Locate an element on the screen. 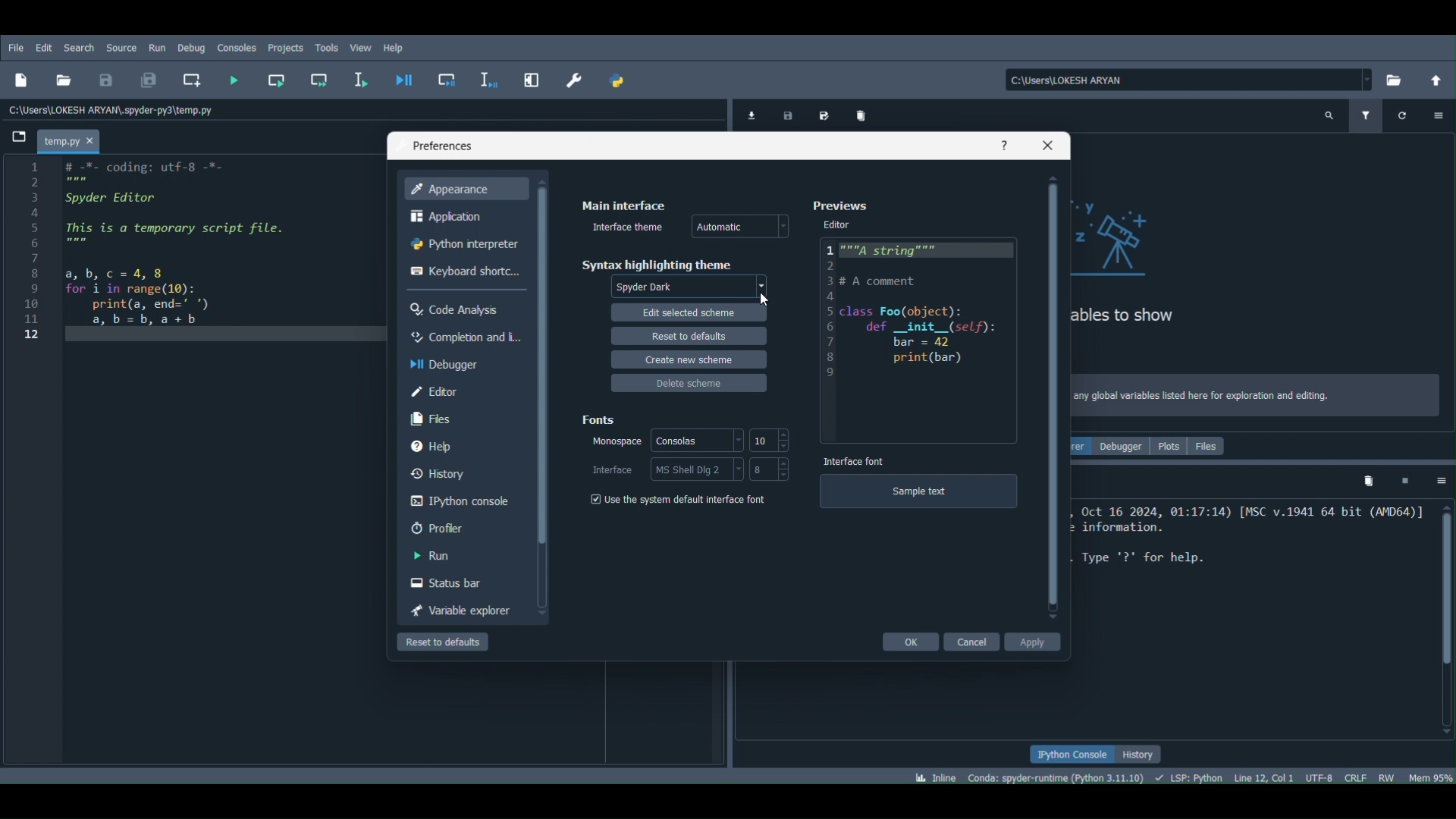  Files is located at coordinates (1214, 446).